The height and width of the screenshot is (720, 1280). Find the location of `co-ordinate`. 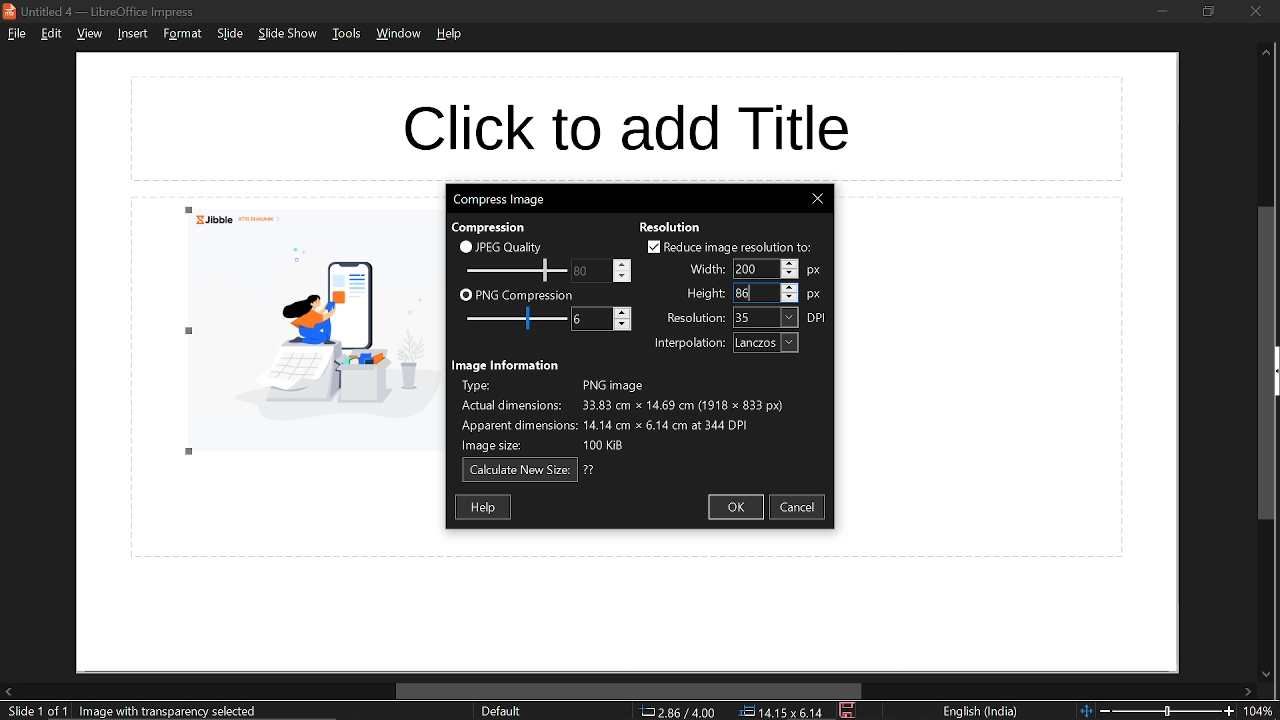

co-ordinate is located at coordinates (678, 711).